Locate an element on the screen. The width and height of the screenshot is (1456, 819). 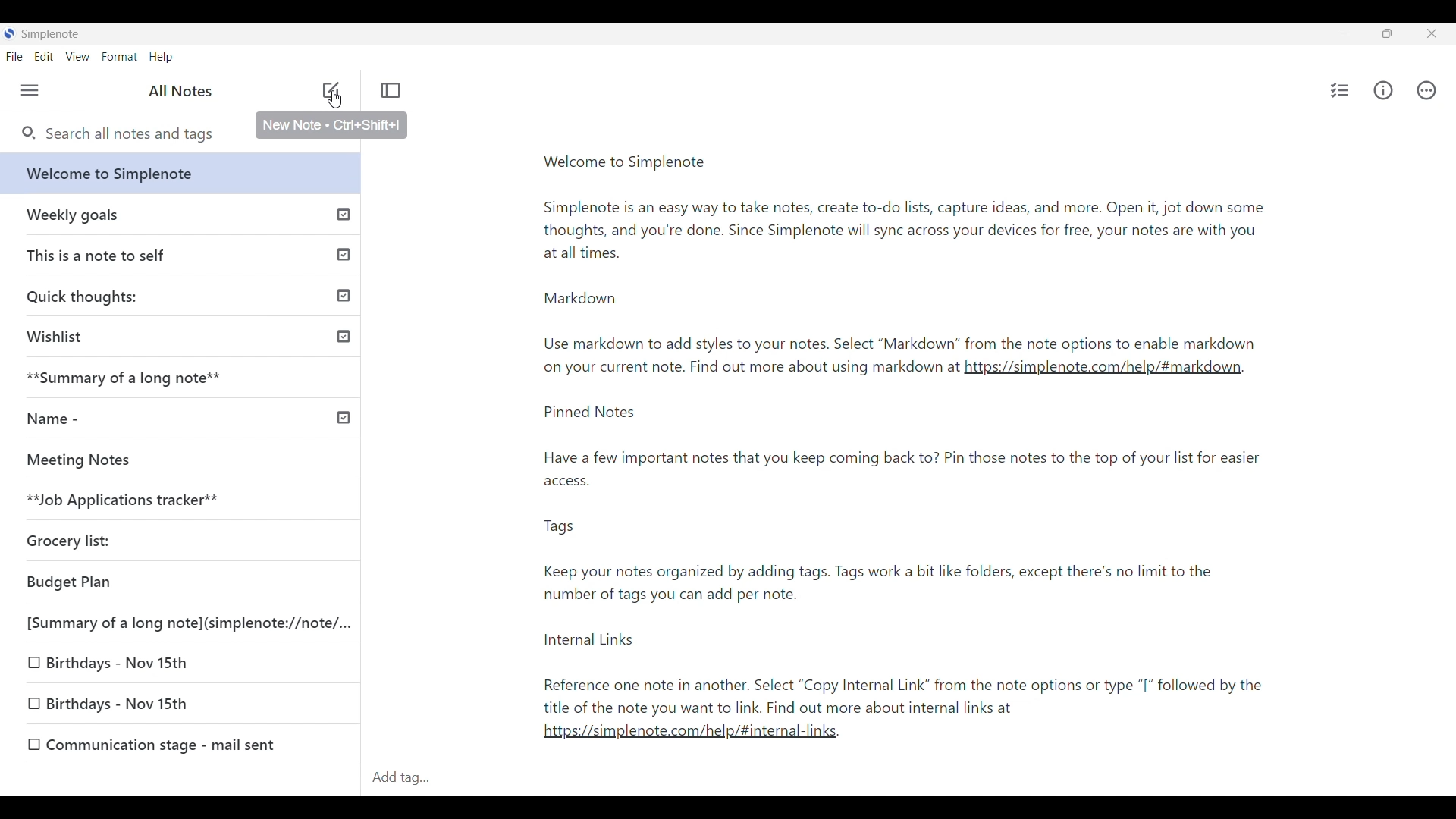
Toggle focus mode is located at coordinates (391, 91).